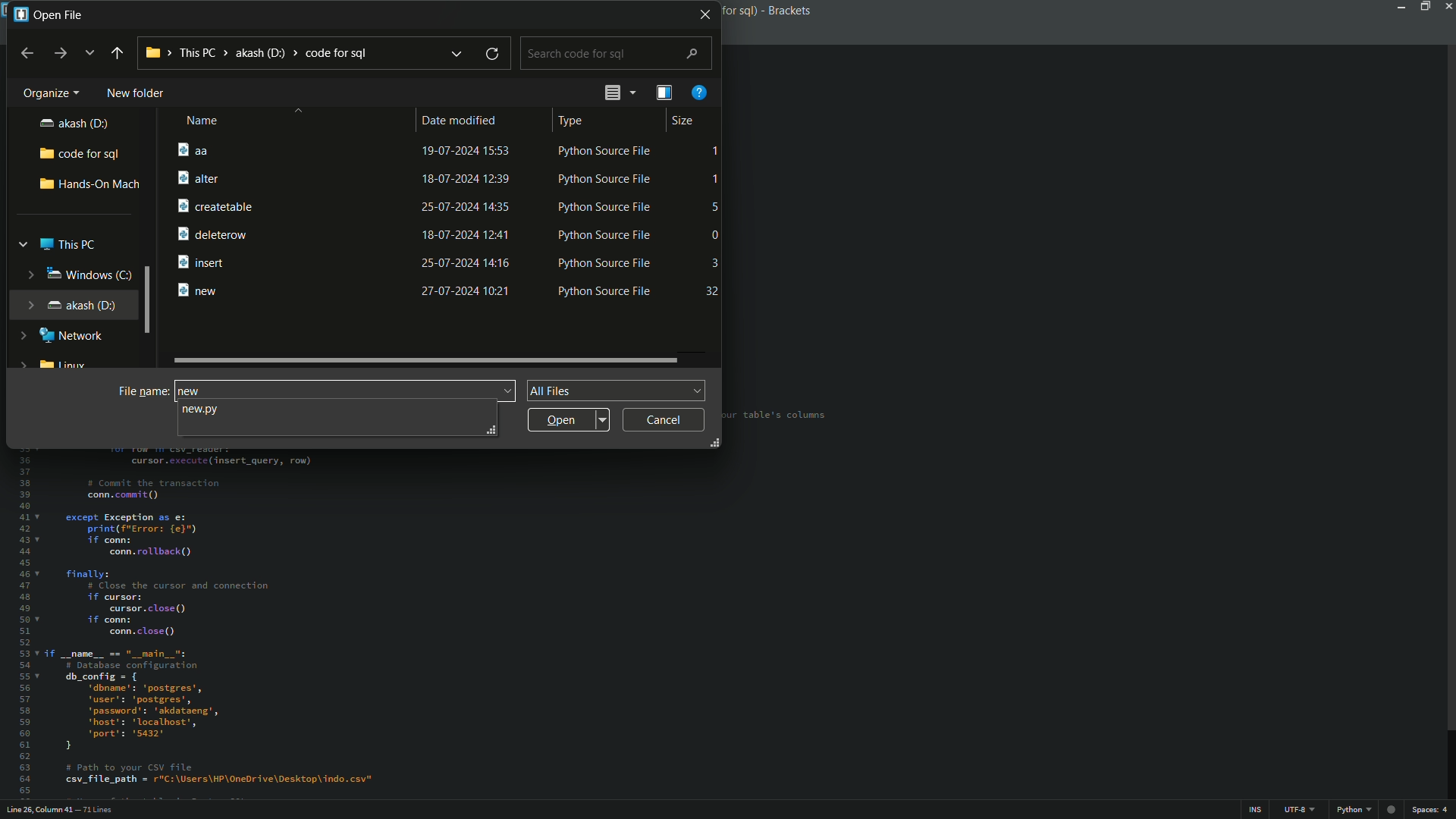 This screenshot has height=819, width=1456. Describe the element at coordinates (59, 15) in the screenshot. I see `open file window` at that location.